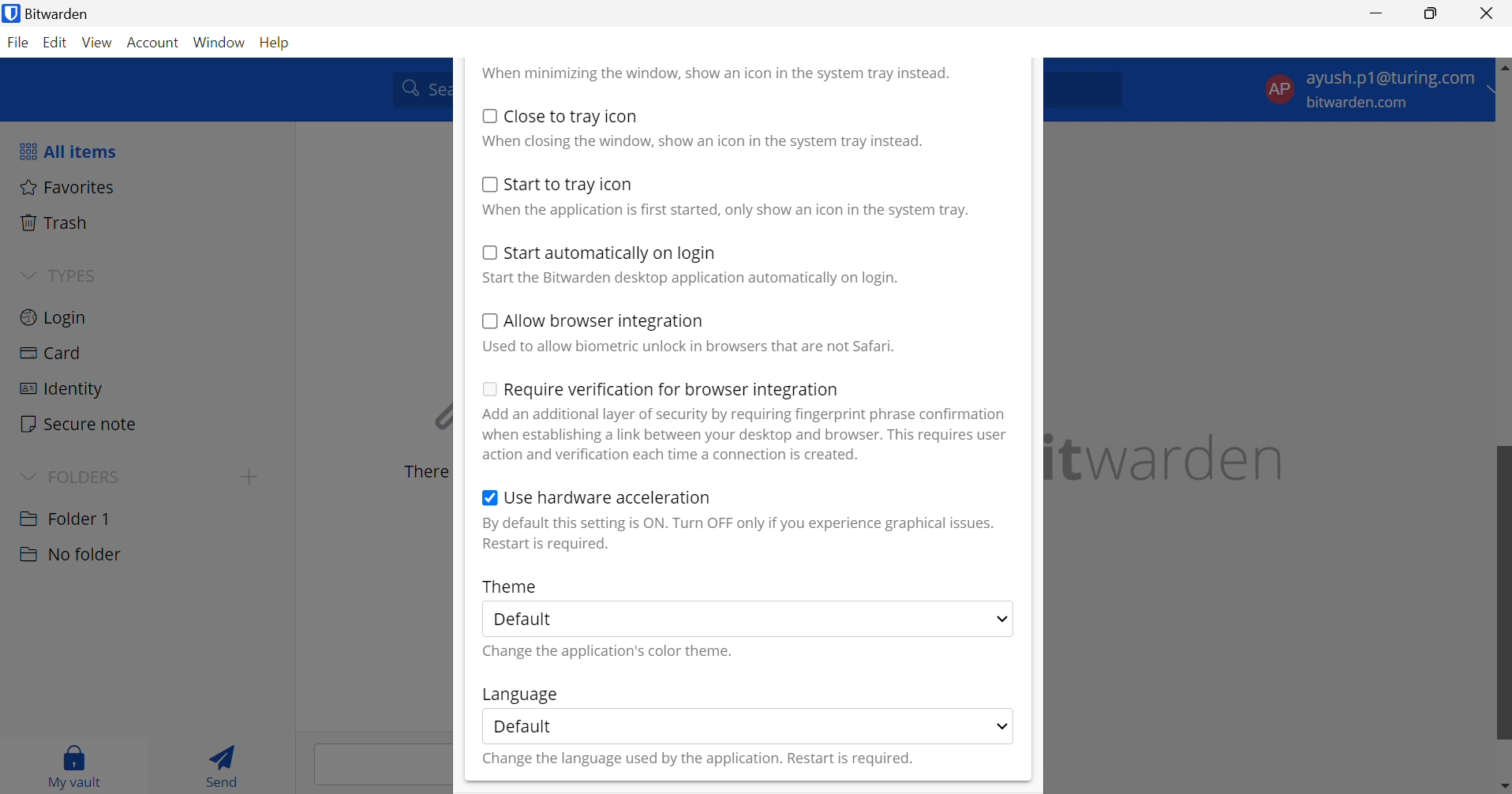 The height and width of the screenshot is (794, 1512). Describe the element at coordinates (53, 354) in the screenshot. I see `Card` at that location.